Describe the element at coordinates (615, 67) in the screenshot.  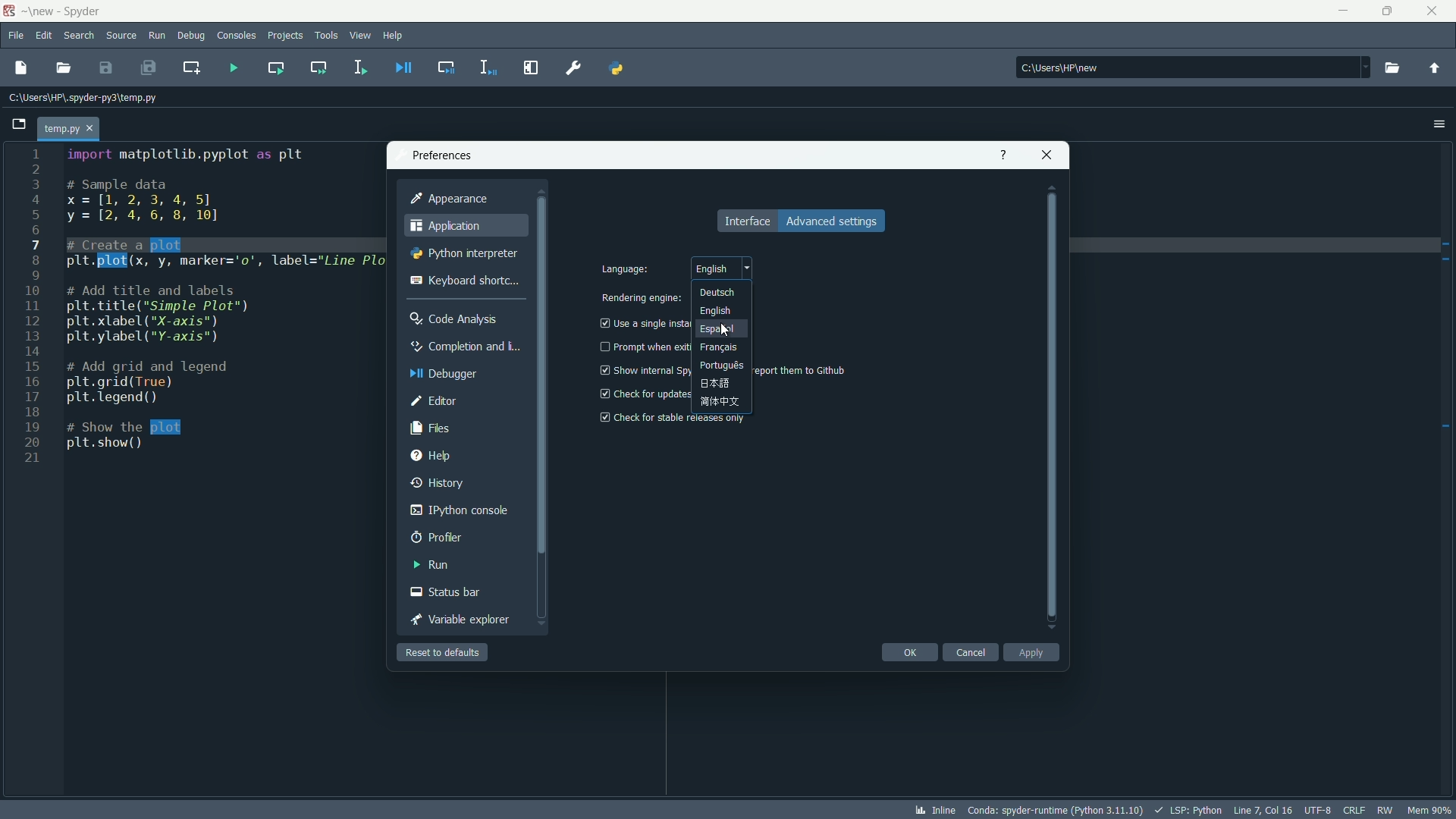
I see `pythonpath manager` at that location.